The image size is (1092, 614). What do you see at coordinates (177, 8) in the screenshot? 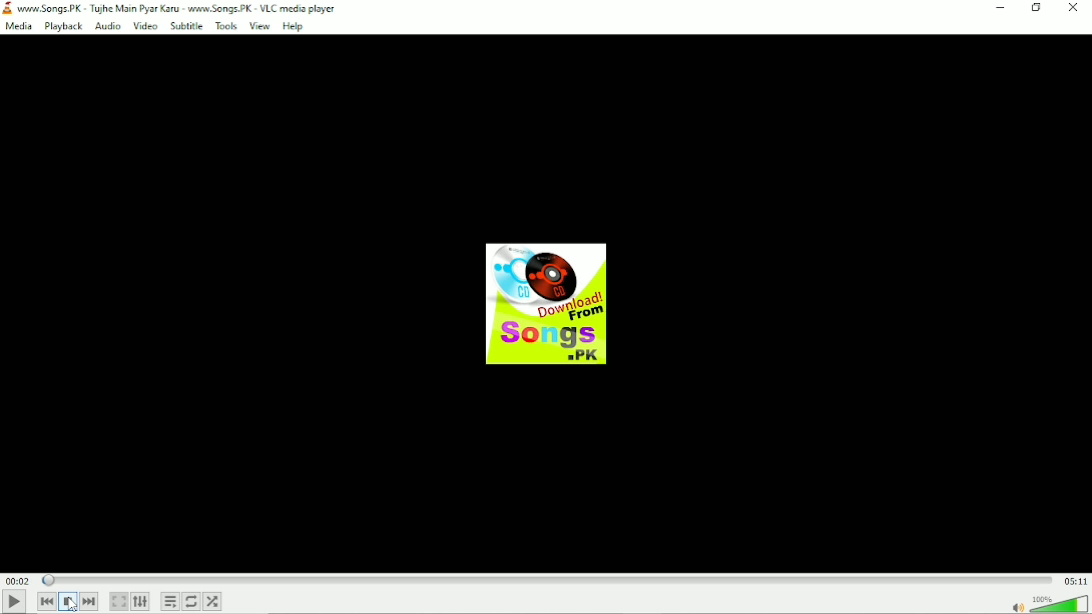
I see `Title` at bounding box center [177, 8].